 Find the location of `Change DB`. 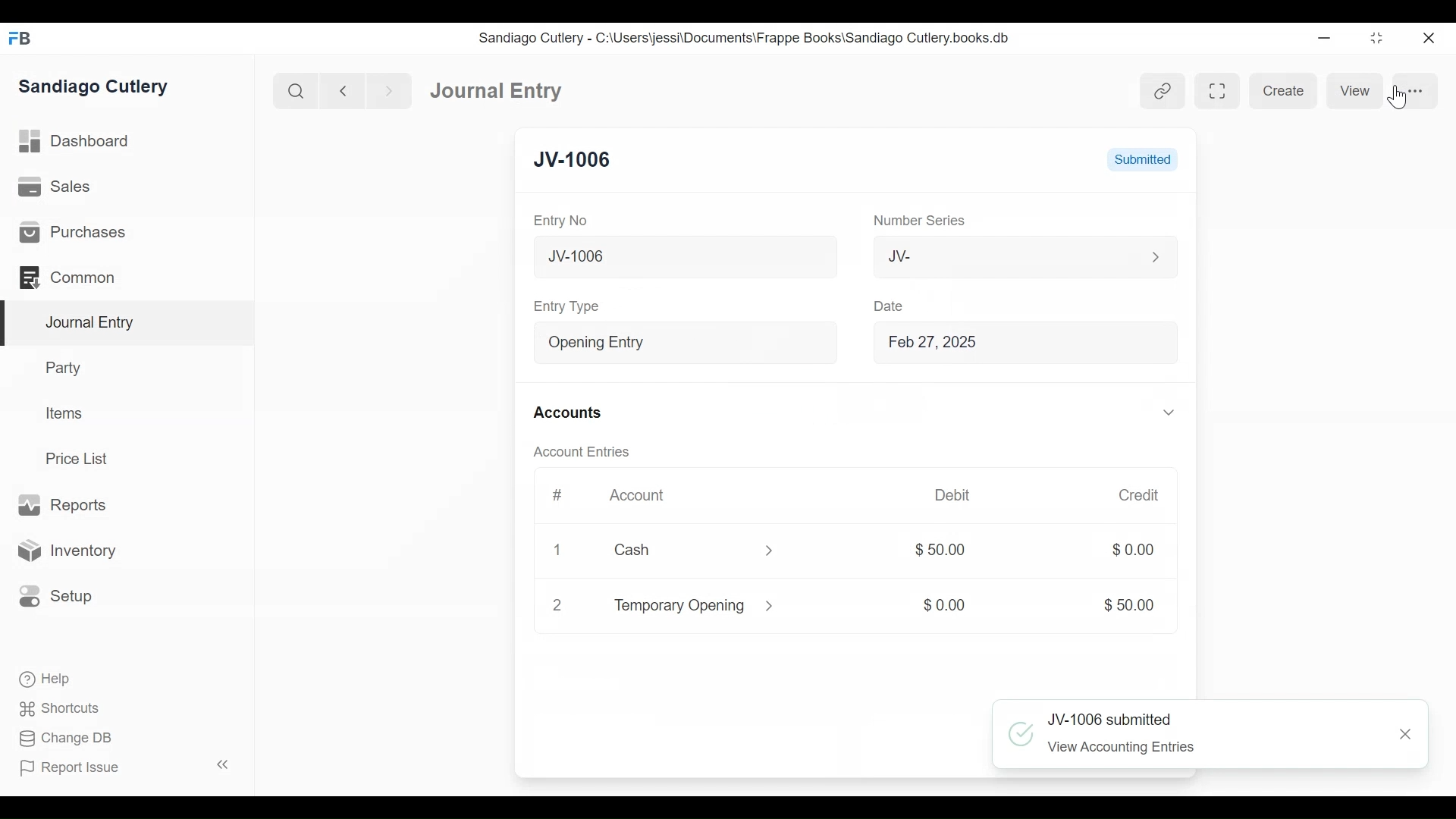

Change DB is located at coordinates (64, 739).